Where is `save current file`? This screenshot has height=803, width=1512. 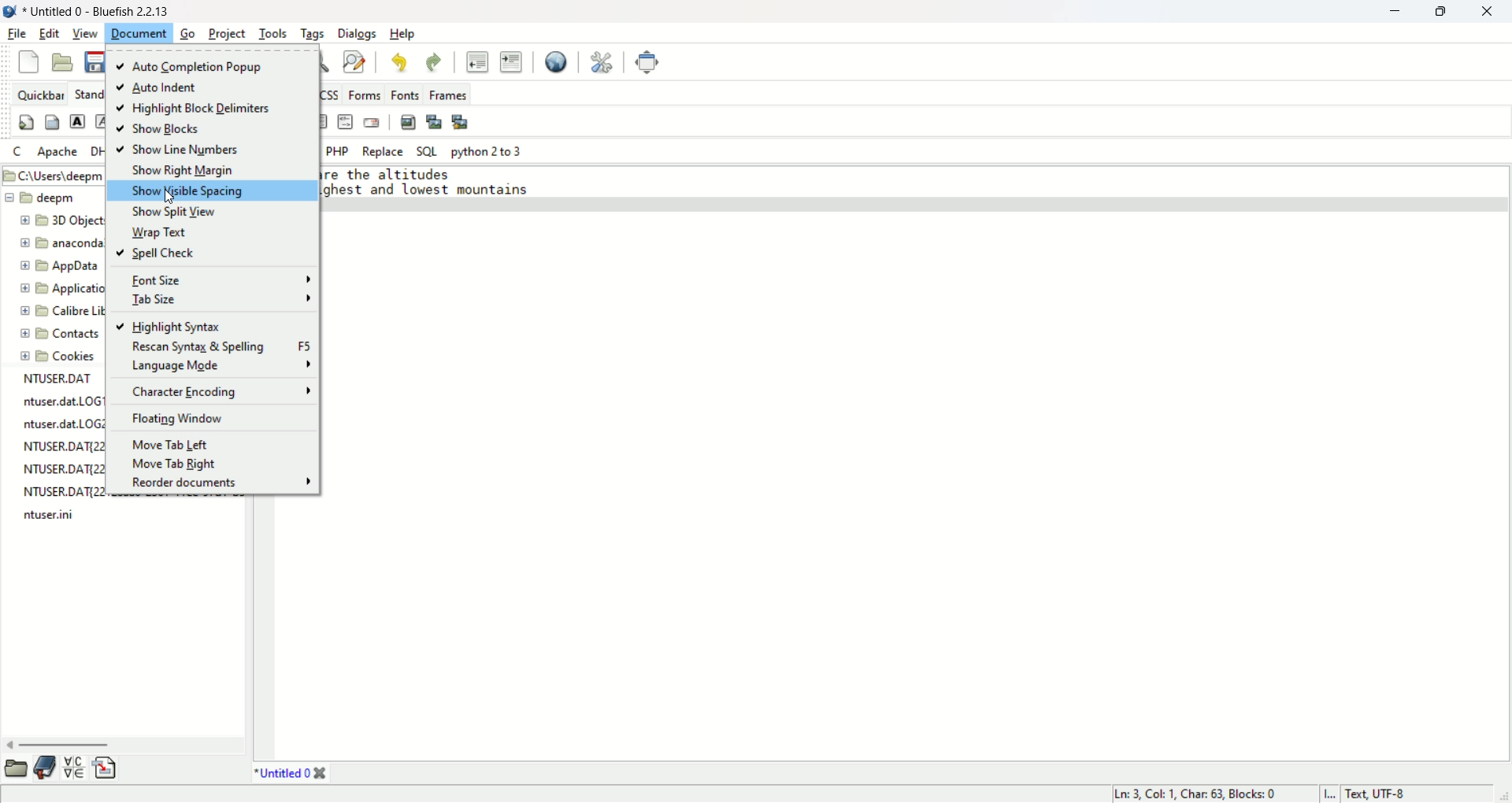 save current file is located at coordinates (94, 61).